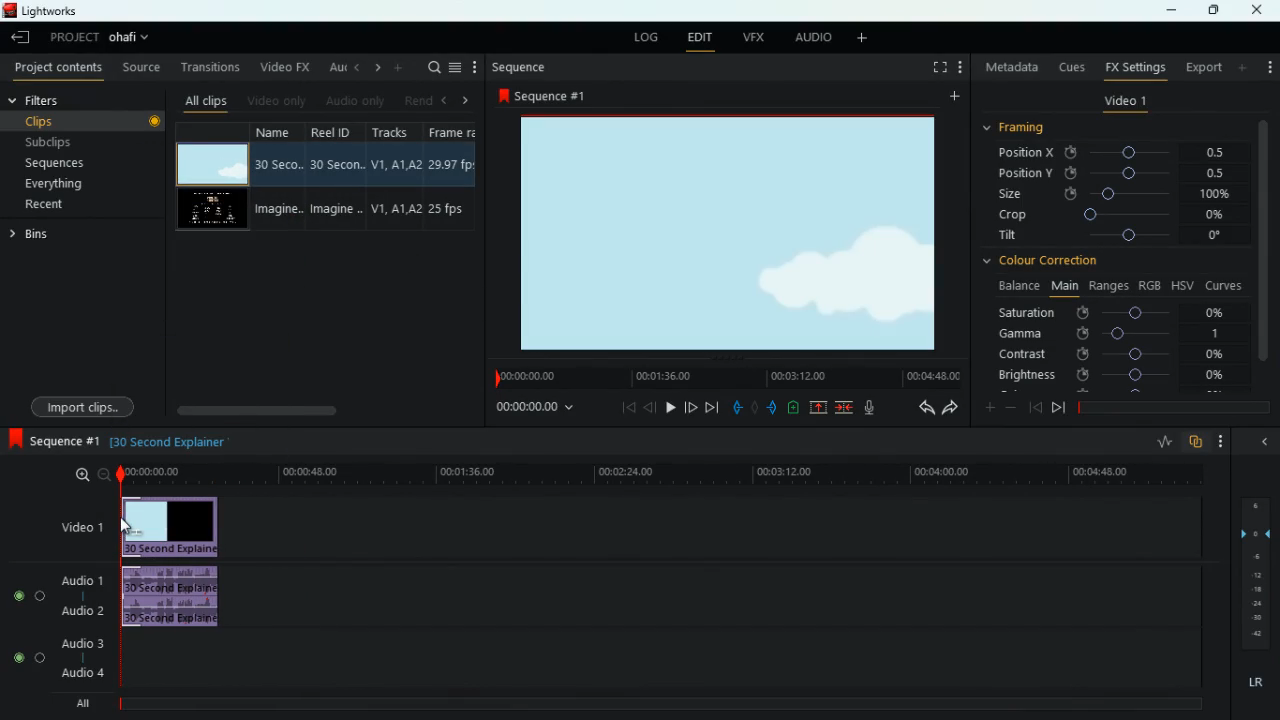 Image resolution: width=1280 pixels, height=720 pixels. I want to click on search, so click(429, 66).